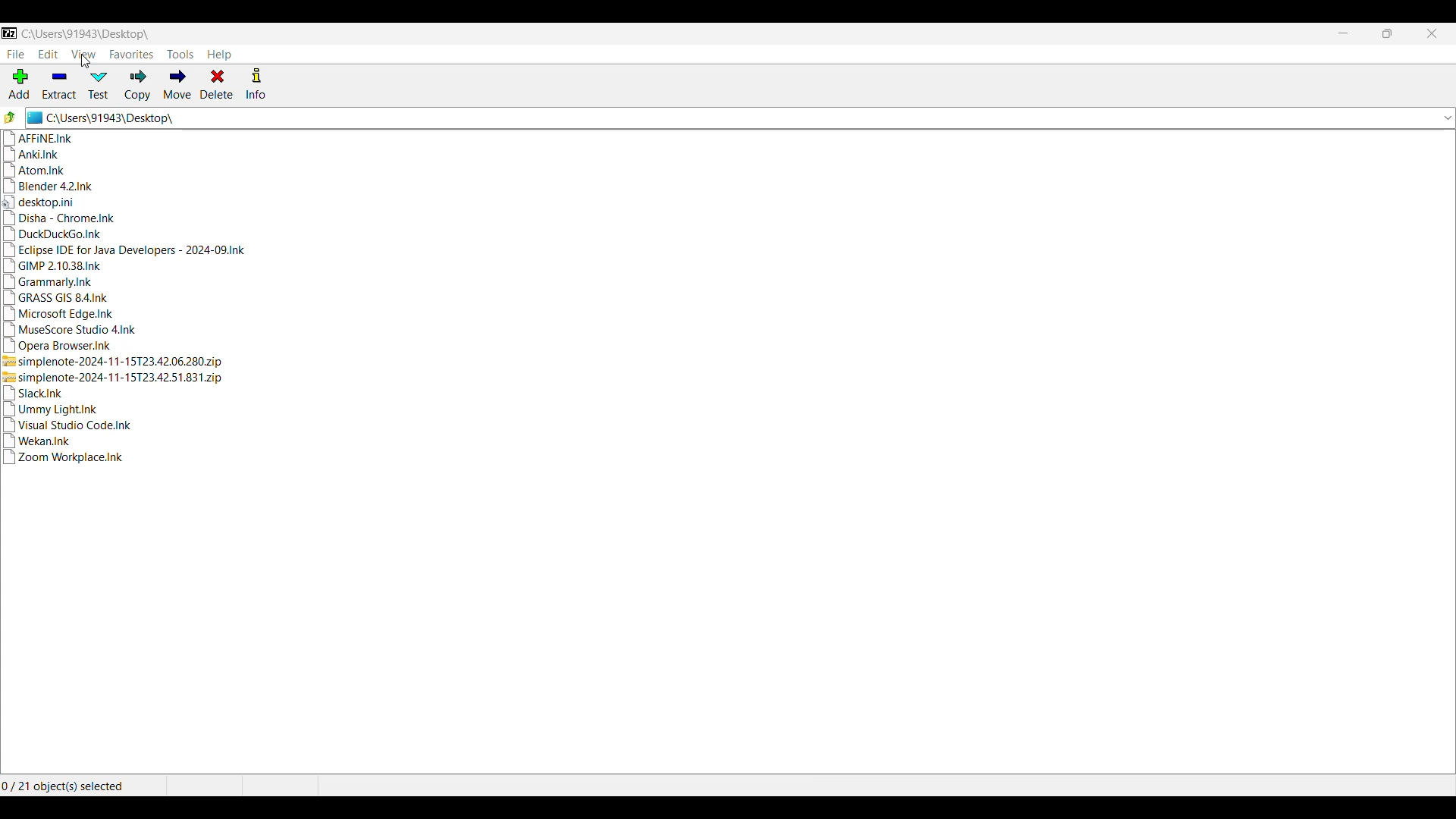  What do you see at coordinates (88, 35) in the screenshot?
I see `C:\Users\91943\Desktop\` at bounding box center [88, 35].